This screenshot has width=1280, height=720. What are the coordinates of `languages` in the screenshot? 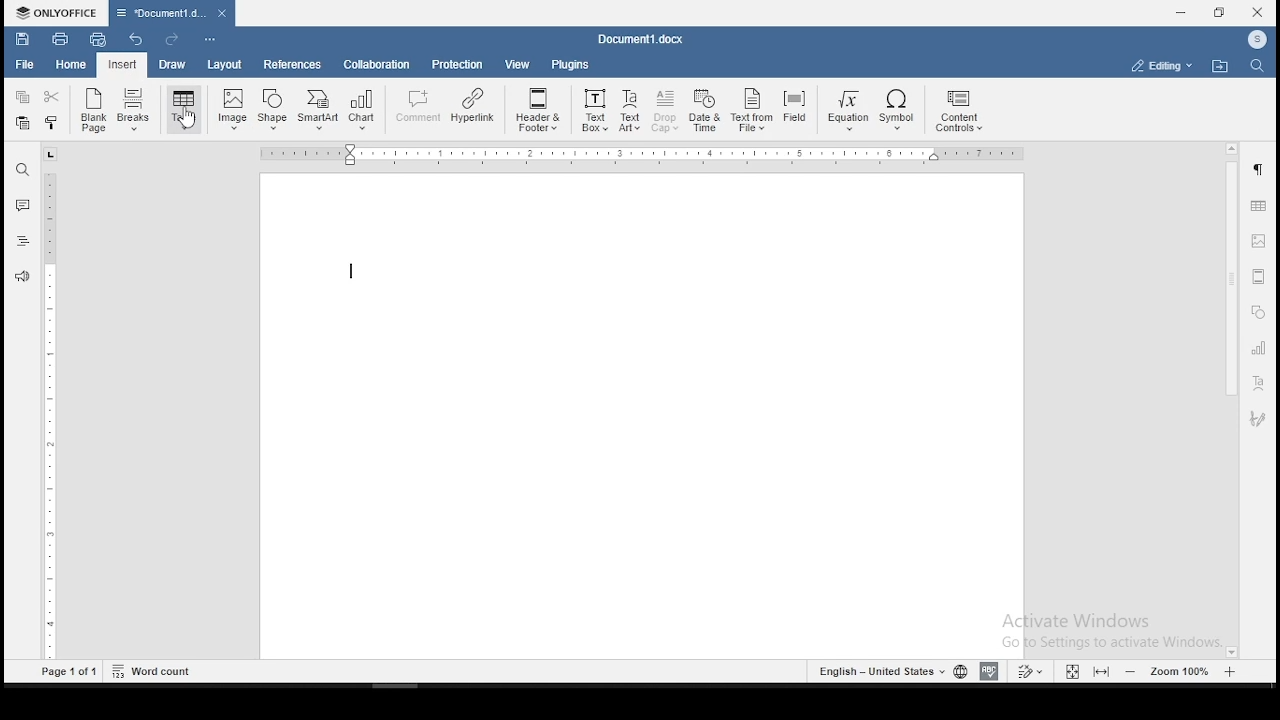 It's located at (889, 670).